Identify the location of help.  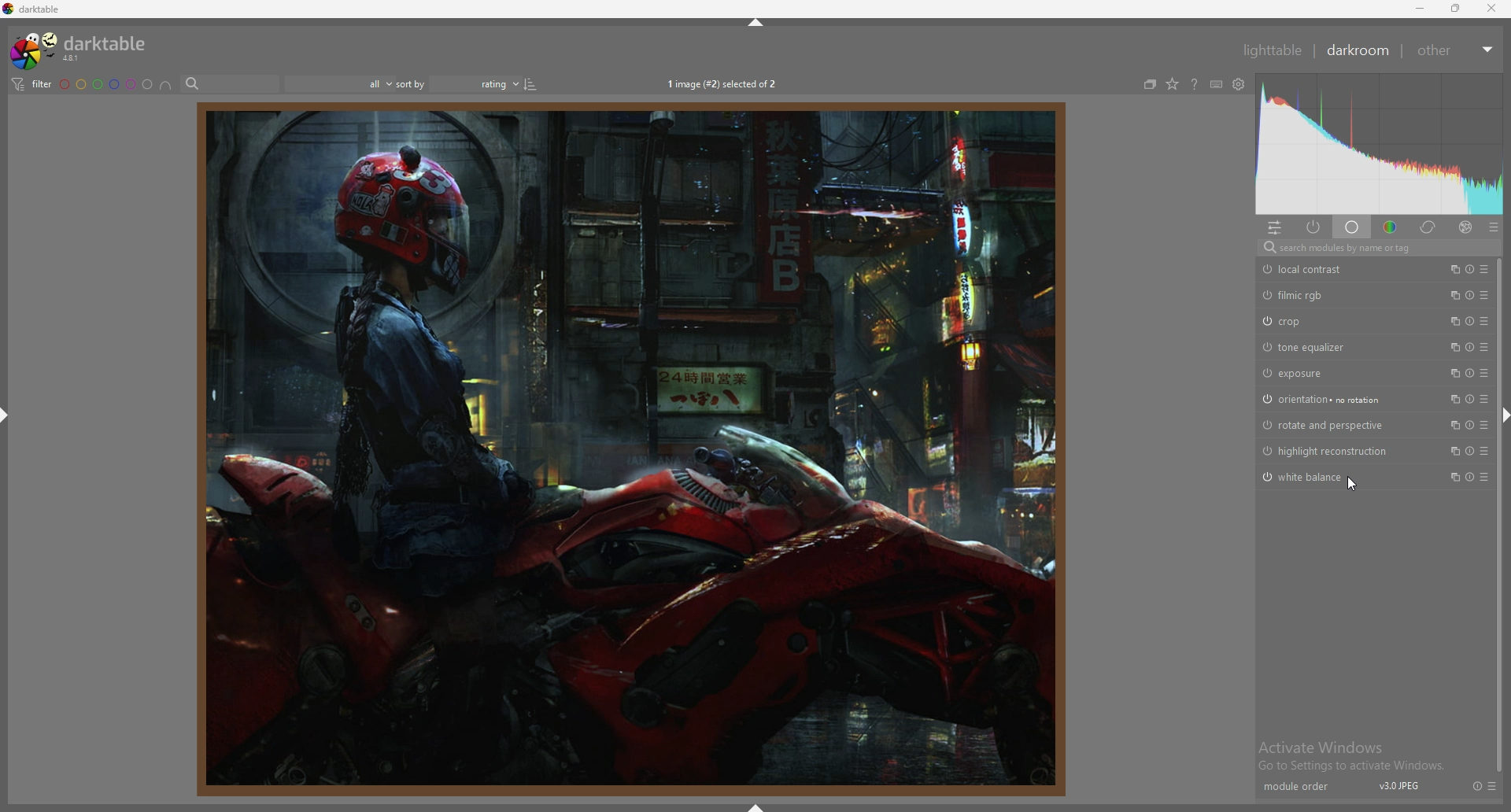
(1195, 84).